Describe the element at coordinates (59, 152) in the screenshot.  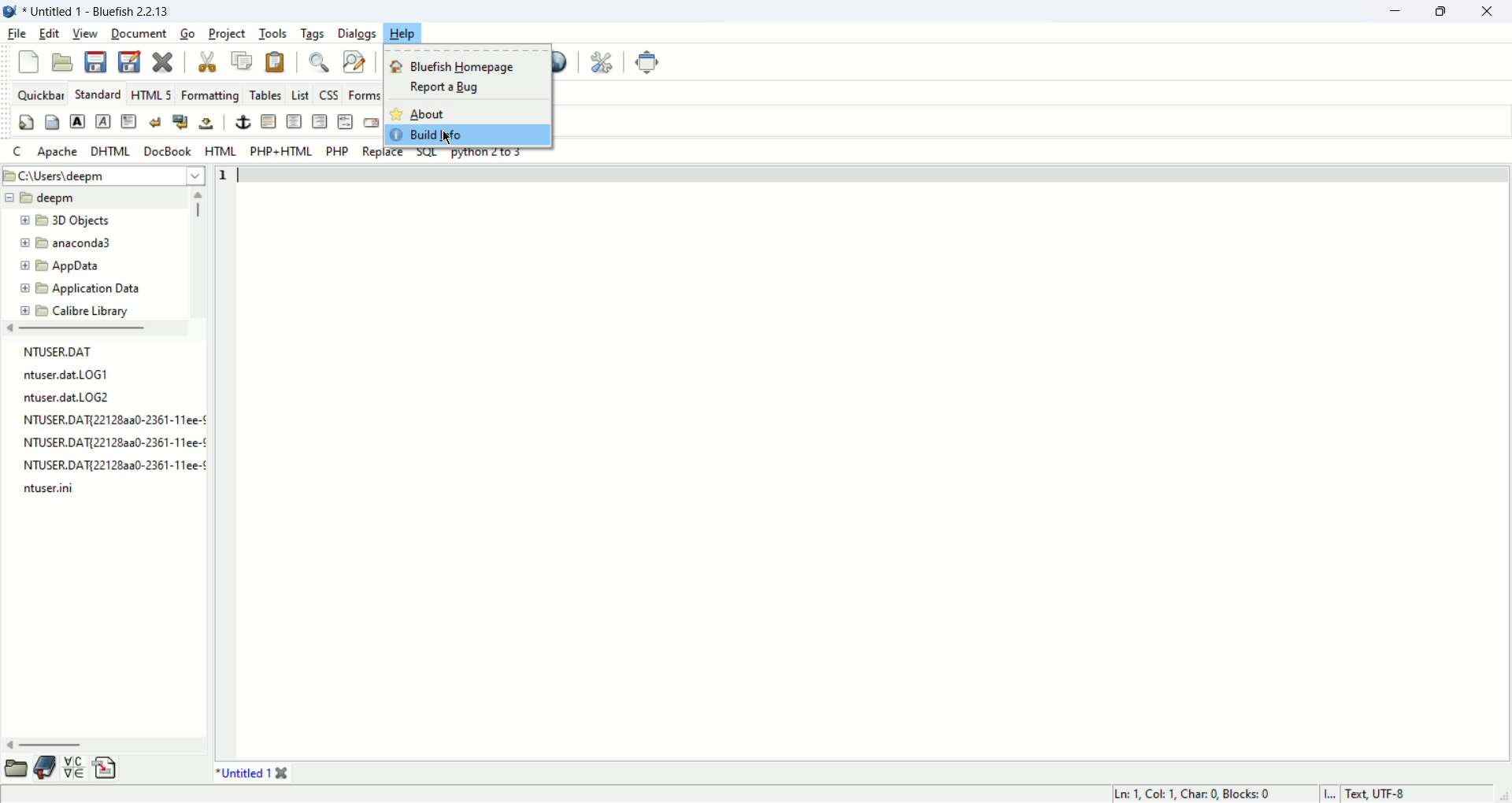
I see `Apache` at that location.